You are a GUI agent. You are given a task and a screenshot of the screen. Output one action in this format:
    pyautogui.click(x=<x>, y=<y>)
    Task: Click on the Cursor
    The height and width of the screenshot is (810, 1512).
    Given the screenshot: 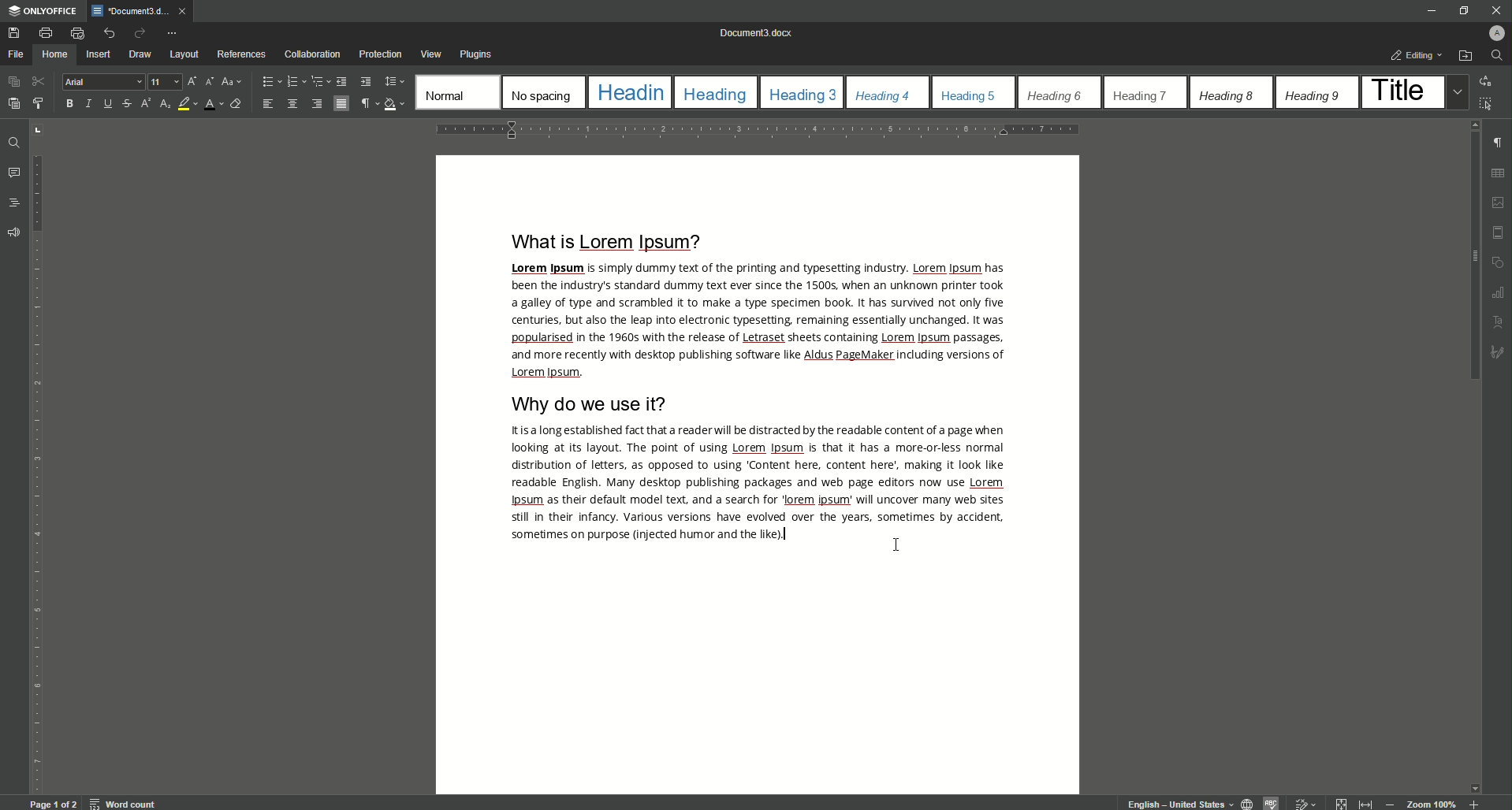 What is the action you would take?
    pyautogui.click(x=897, y=544)
    